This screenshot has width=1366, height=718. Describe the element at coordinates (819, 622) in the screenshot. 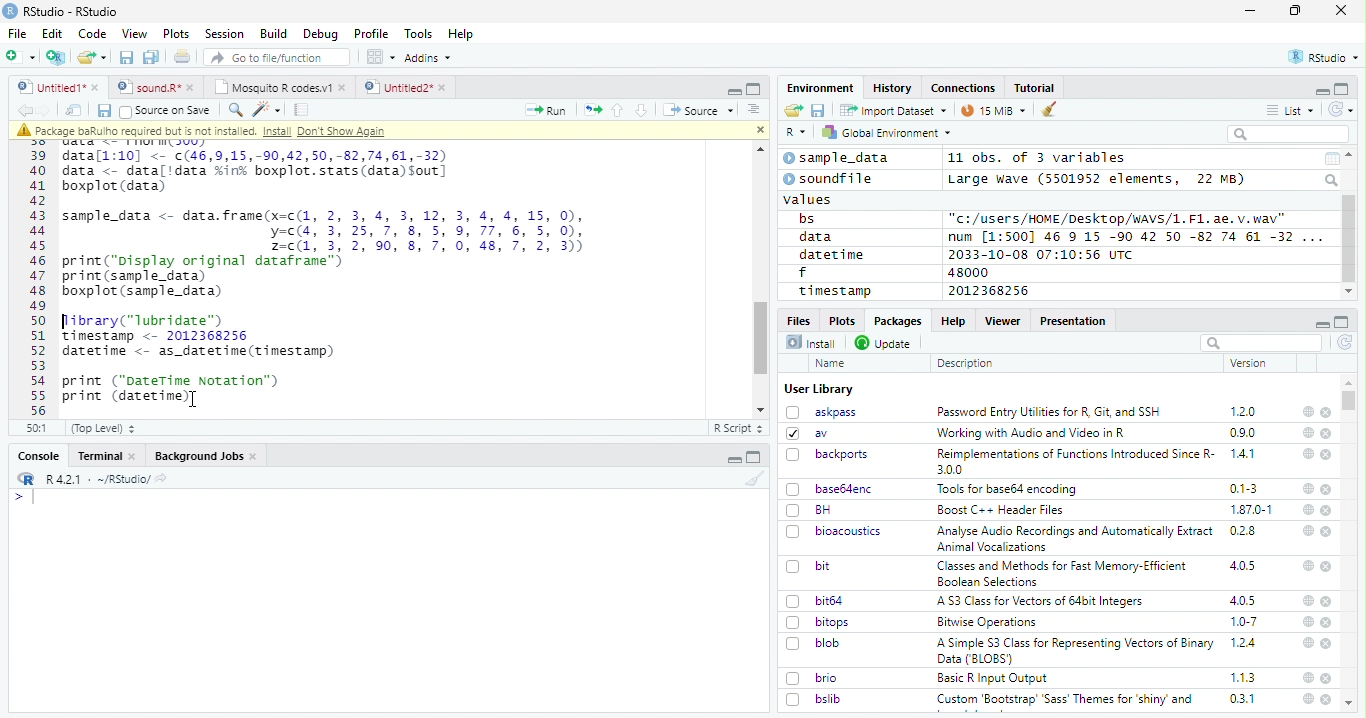

I see `bitops` at that location.